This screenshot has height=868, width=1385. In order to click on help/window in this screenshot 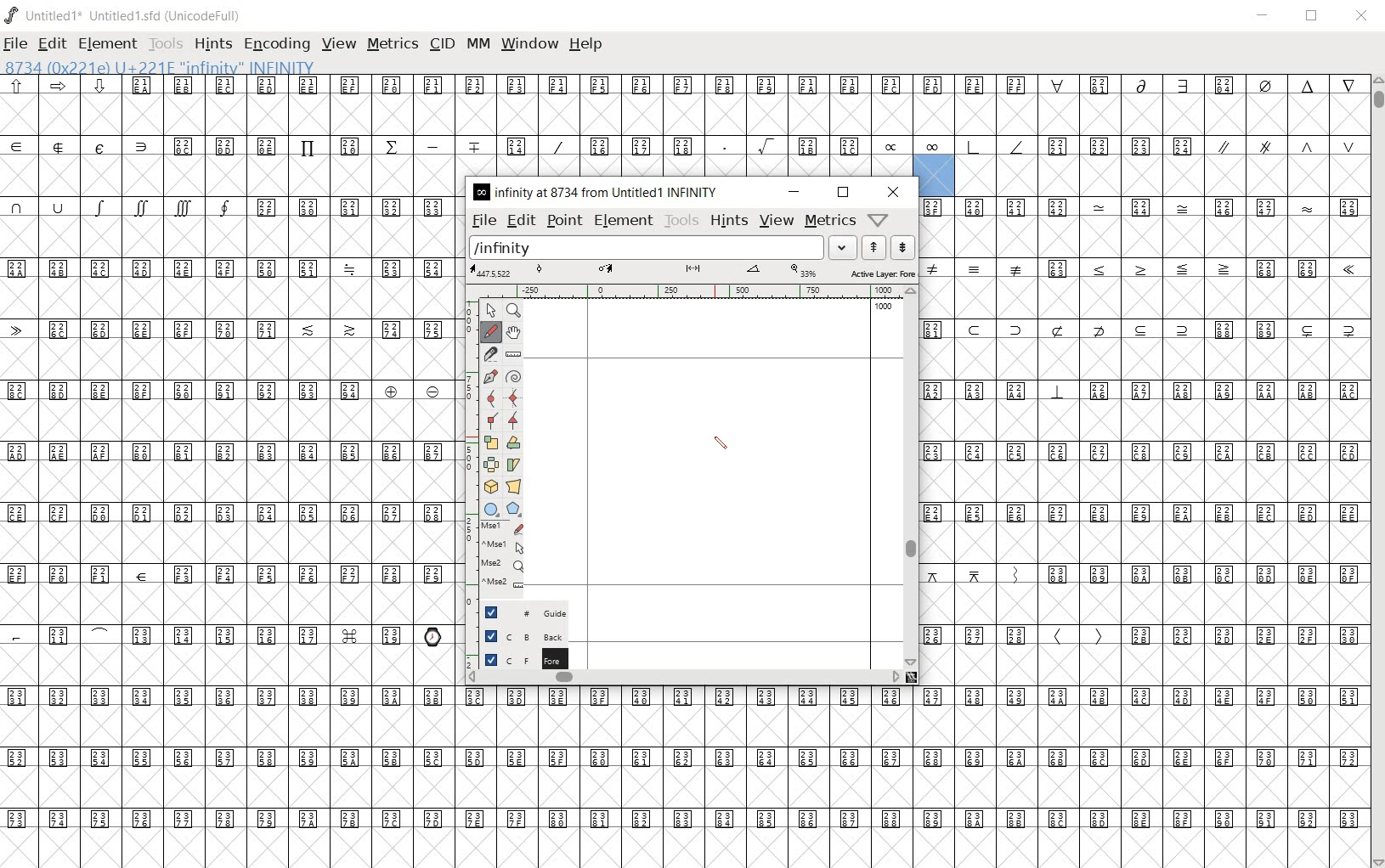, I will do `click(880, 218)`.